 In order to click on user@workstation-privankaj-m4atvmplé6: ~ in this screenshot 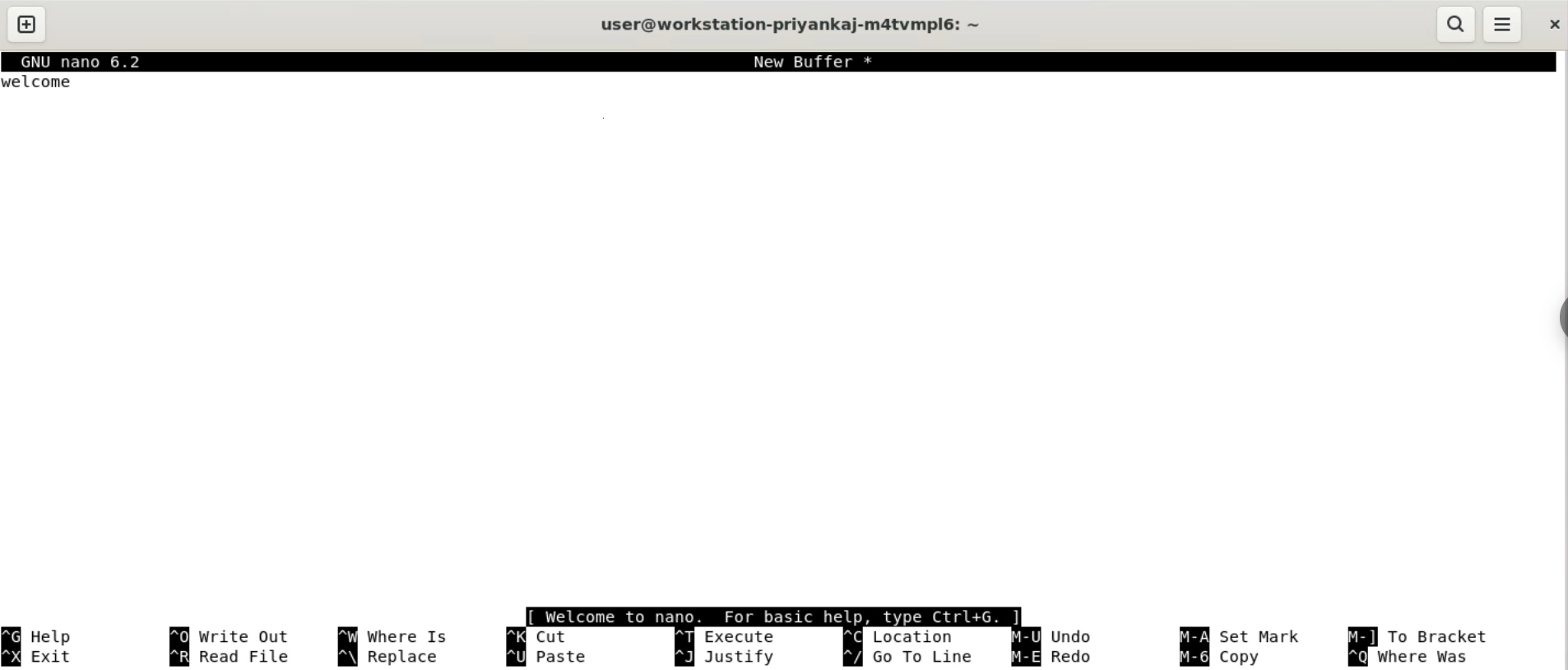, I will do `click(793, 26)`.